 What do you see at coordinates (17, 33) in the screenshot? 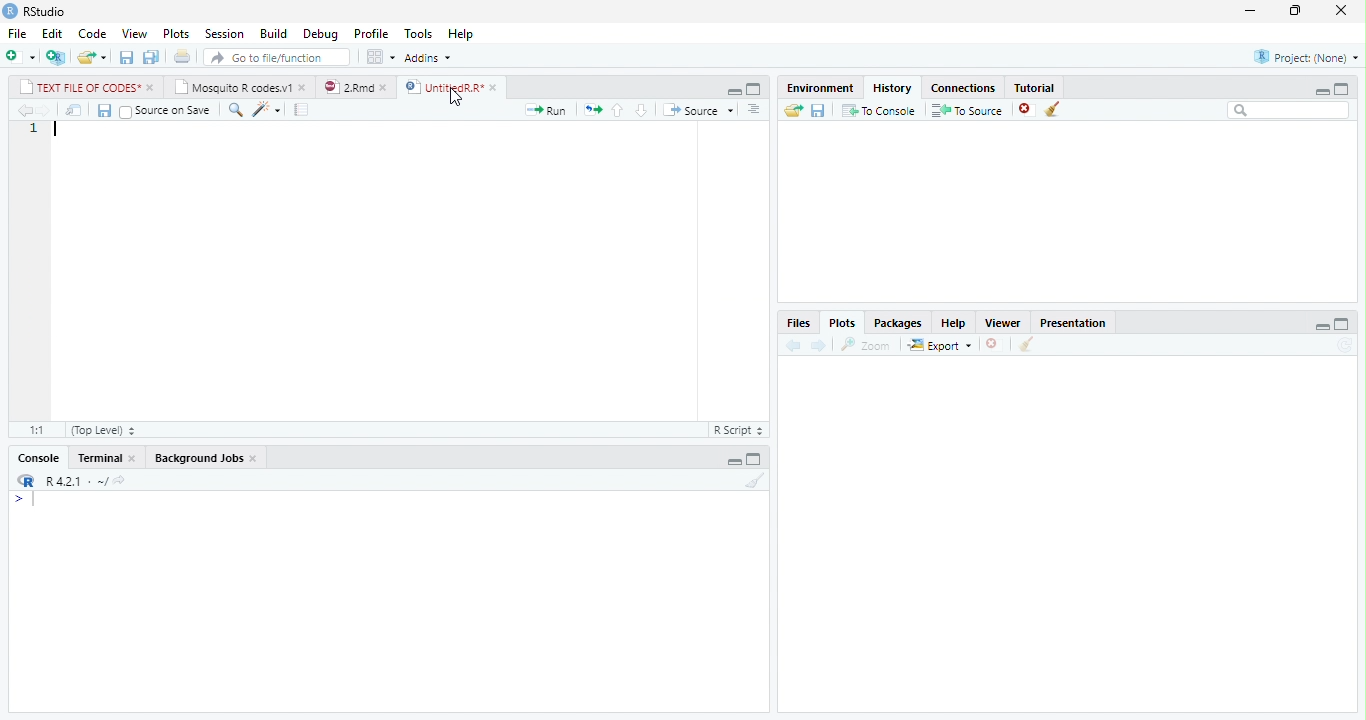
I see `File` at bounding box center [17, 33].